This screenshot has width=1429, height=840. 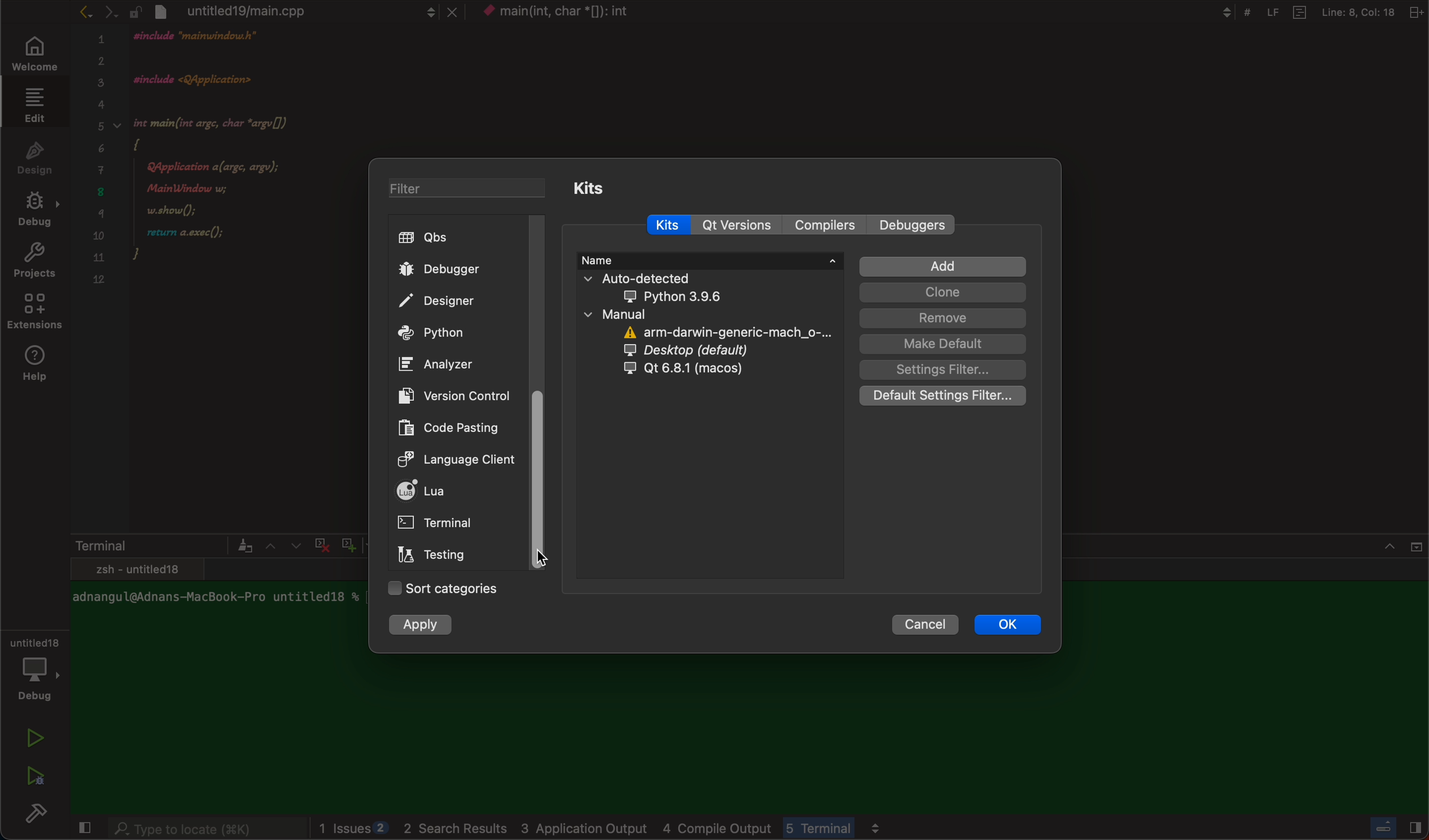 What do you see at coordinates (674, 829) in the screenshot?
I see `logs` at bounding box center [674, 829].